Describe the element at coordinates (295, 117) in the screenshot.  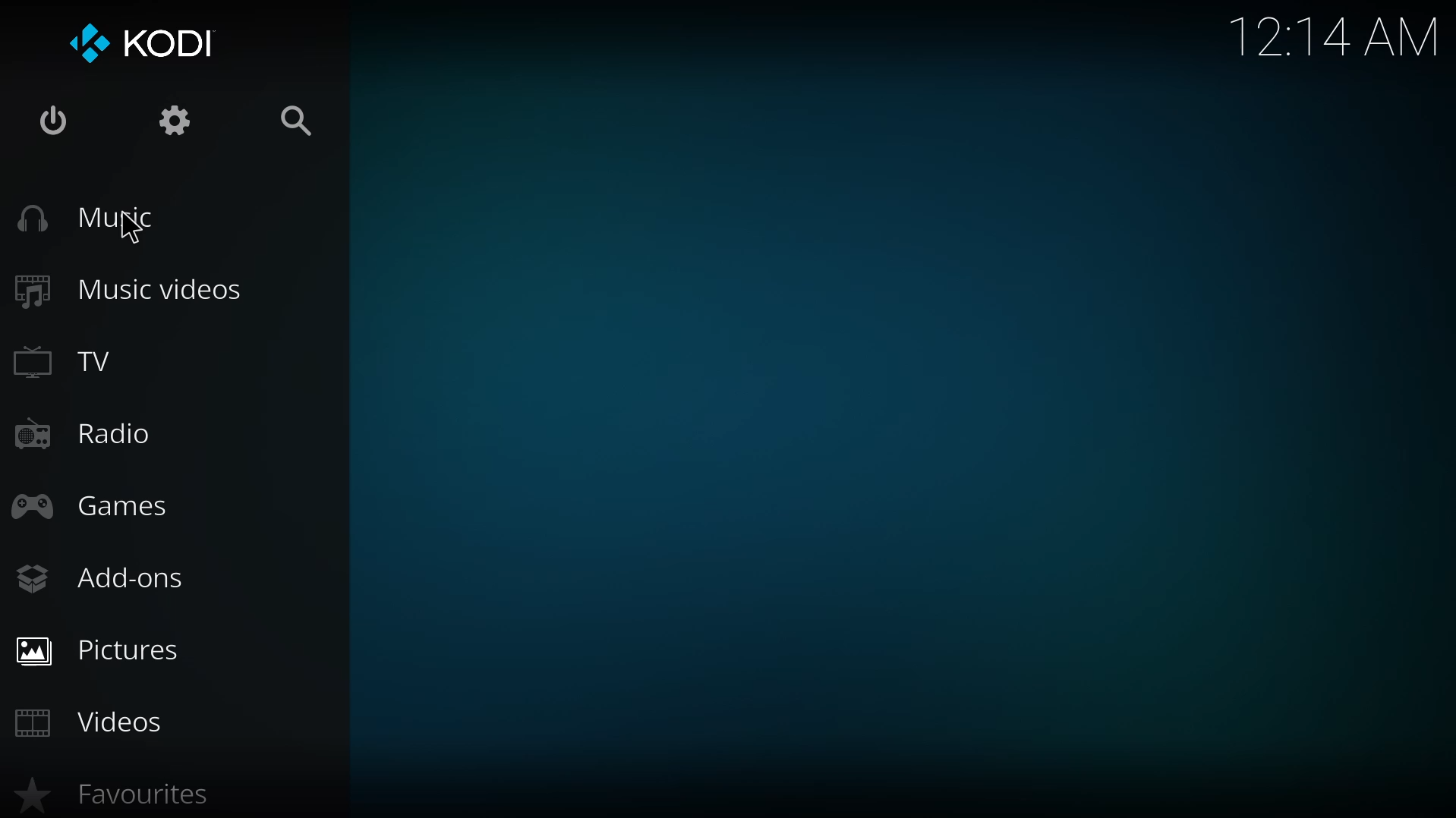
I see `search` at that location.